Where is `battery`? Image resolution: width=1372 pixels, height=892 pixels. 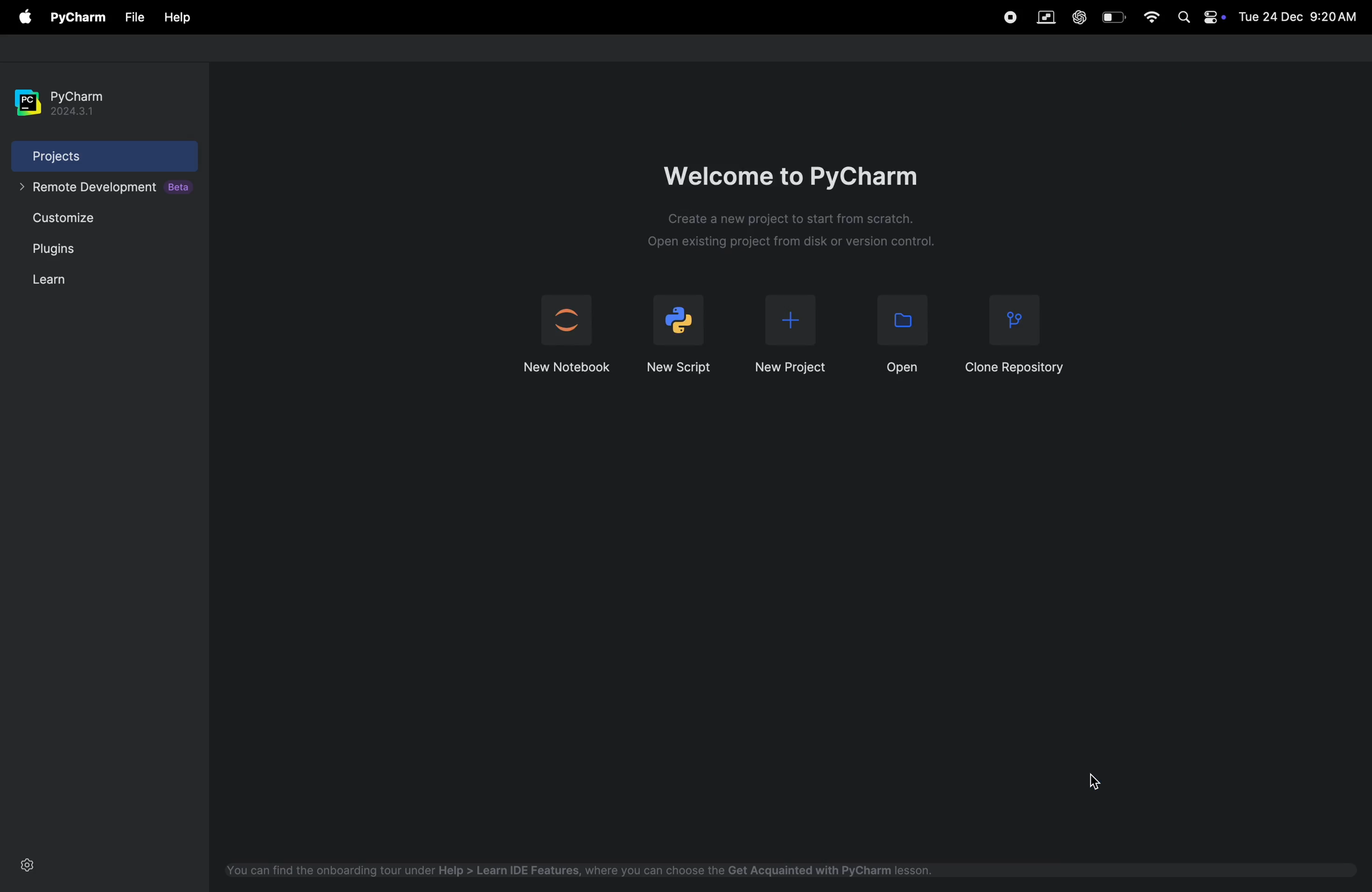
battery is located at coordinates (1114, 17).